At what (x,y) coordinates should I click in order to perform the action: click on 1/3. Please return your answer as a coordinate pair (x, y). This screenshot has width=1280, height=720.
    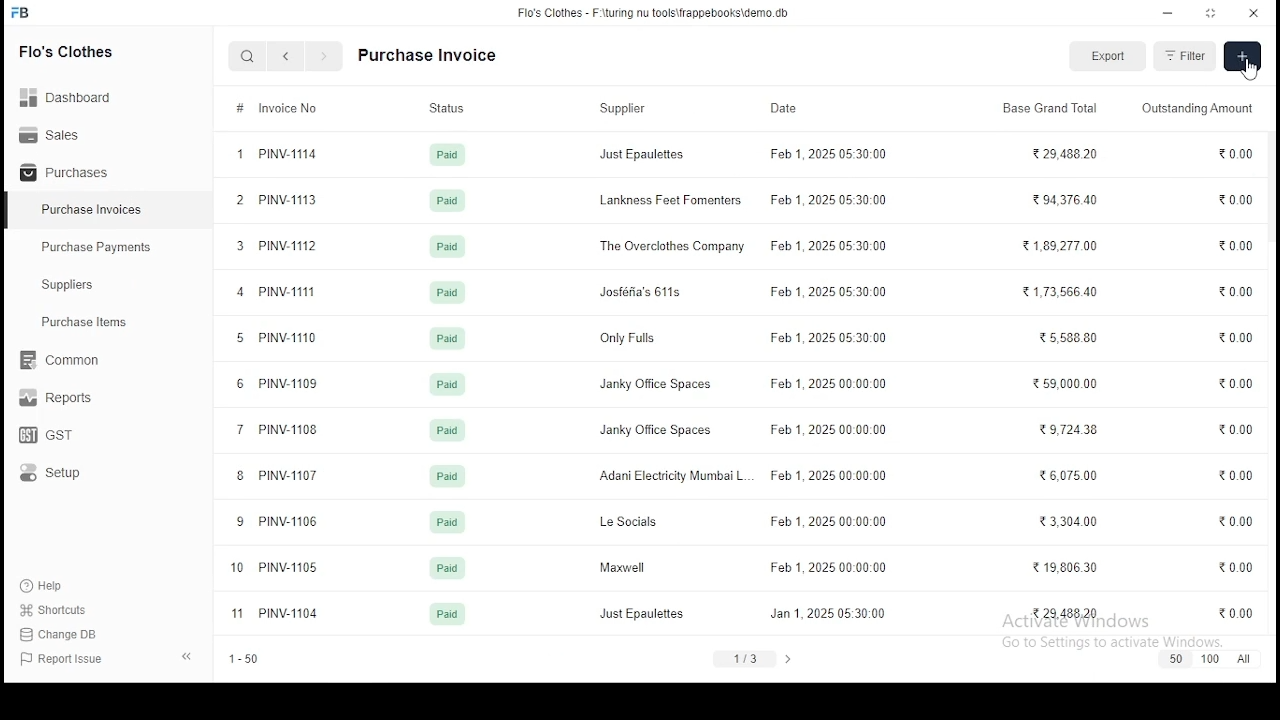
    Looking at the image, I should click on (747, 659).